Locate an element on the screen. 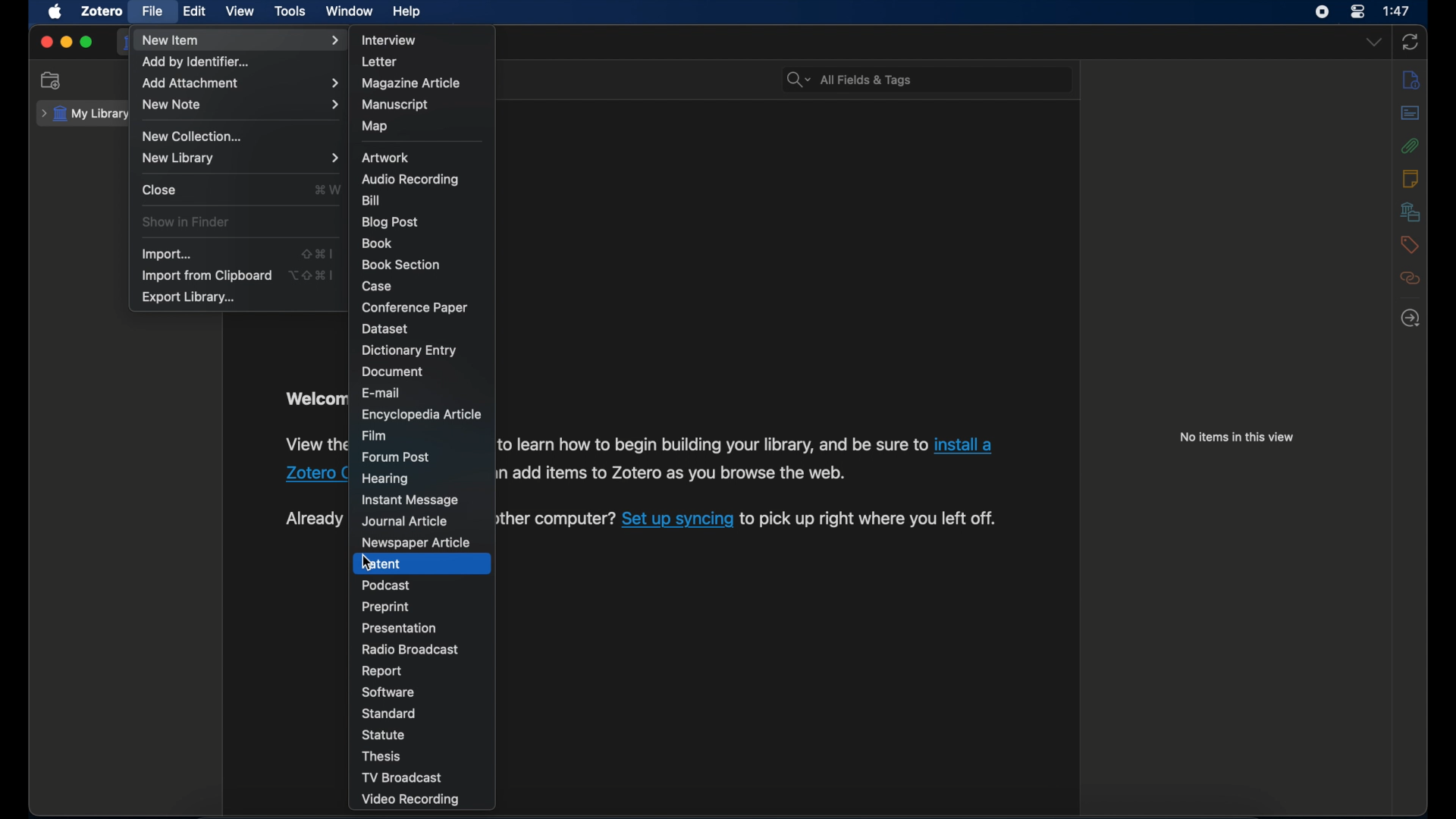 The width and height of the screenshot is (1456, 819). conference paper is located at coordinates (416, 307).